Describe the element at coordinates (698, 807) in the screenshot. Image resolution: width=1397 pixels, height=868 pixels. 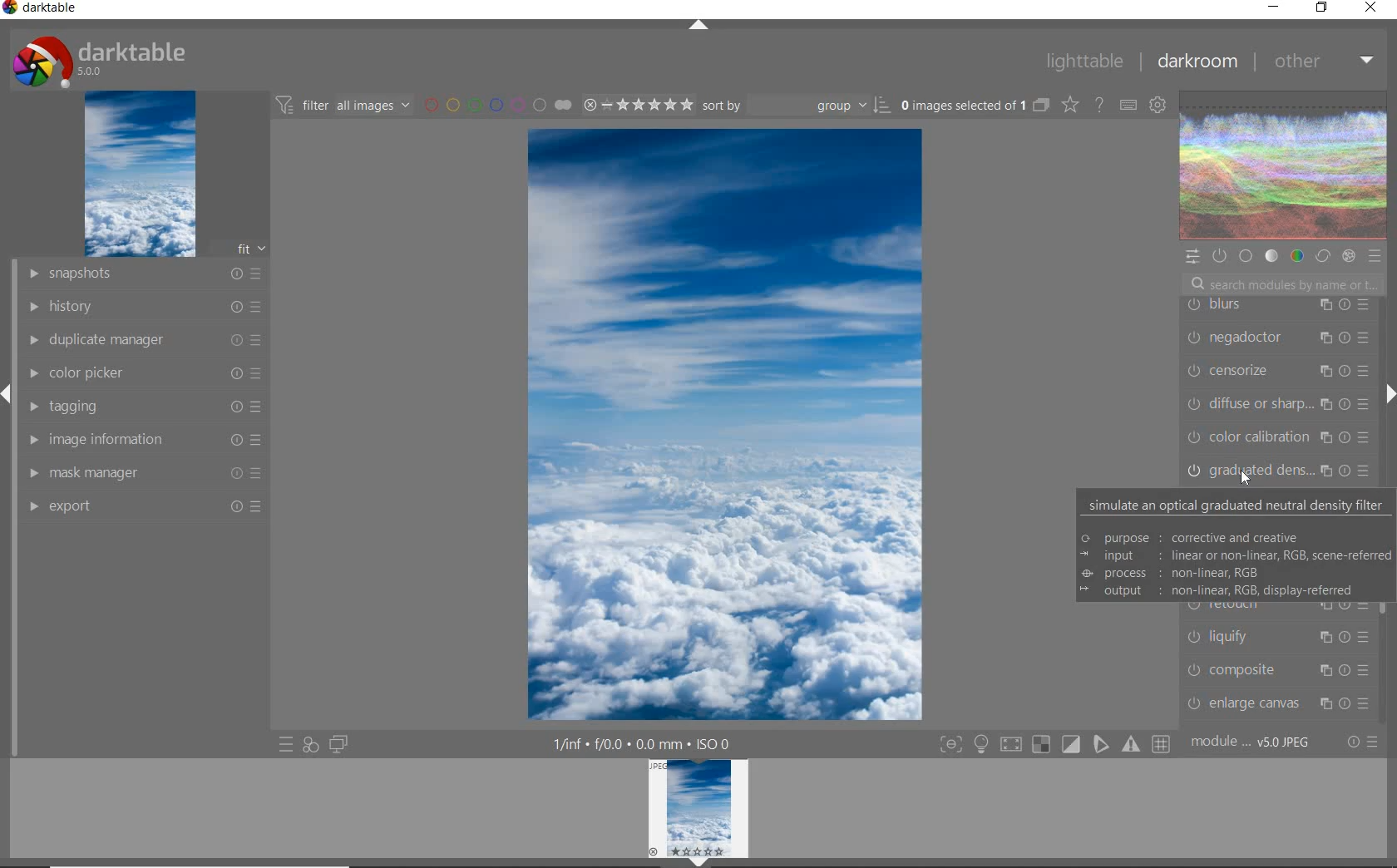
I see `IMAGE PREVIEW` at that location.